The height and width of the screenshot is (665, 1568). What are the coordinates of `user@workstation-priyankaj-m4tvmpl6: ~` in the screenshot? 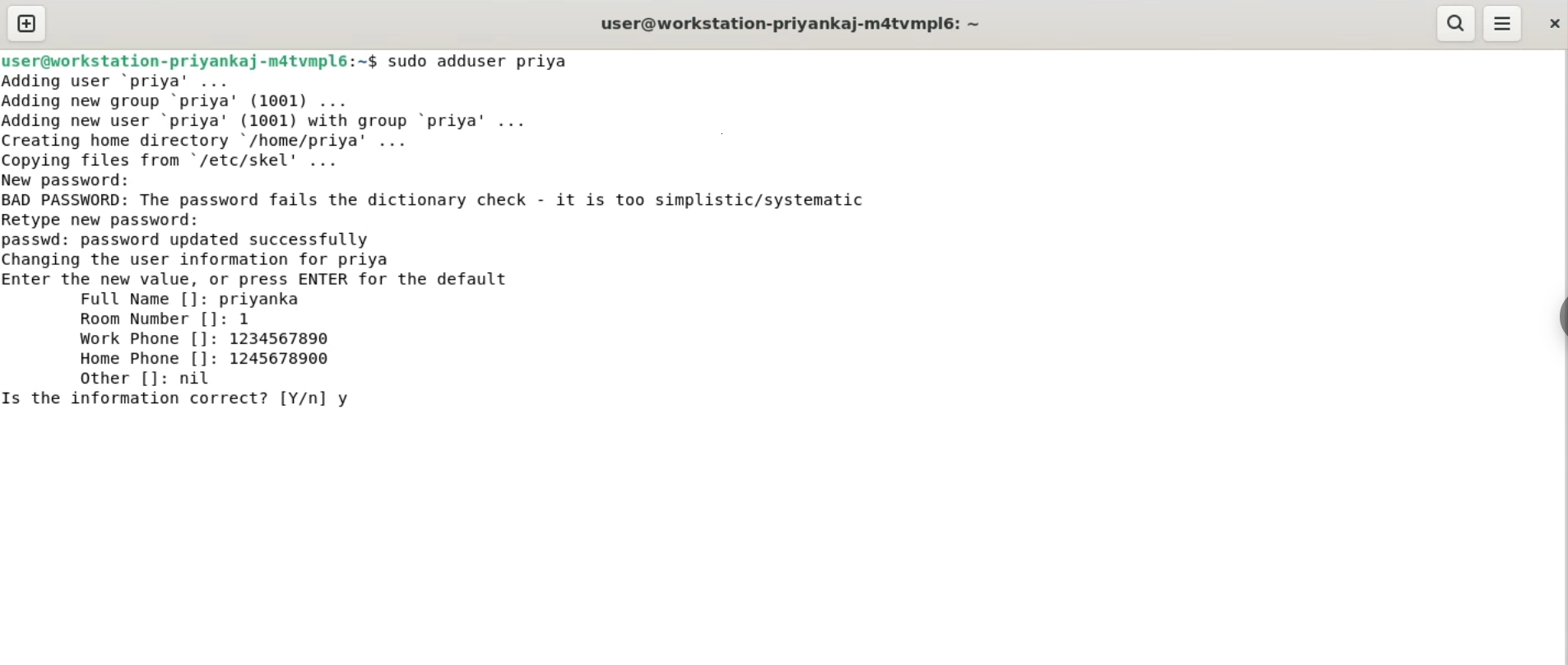 It's located at (791, 26).